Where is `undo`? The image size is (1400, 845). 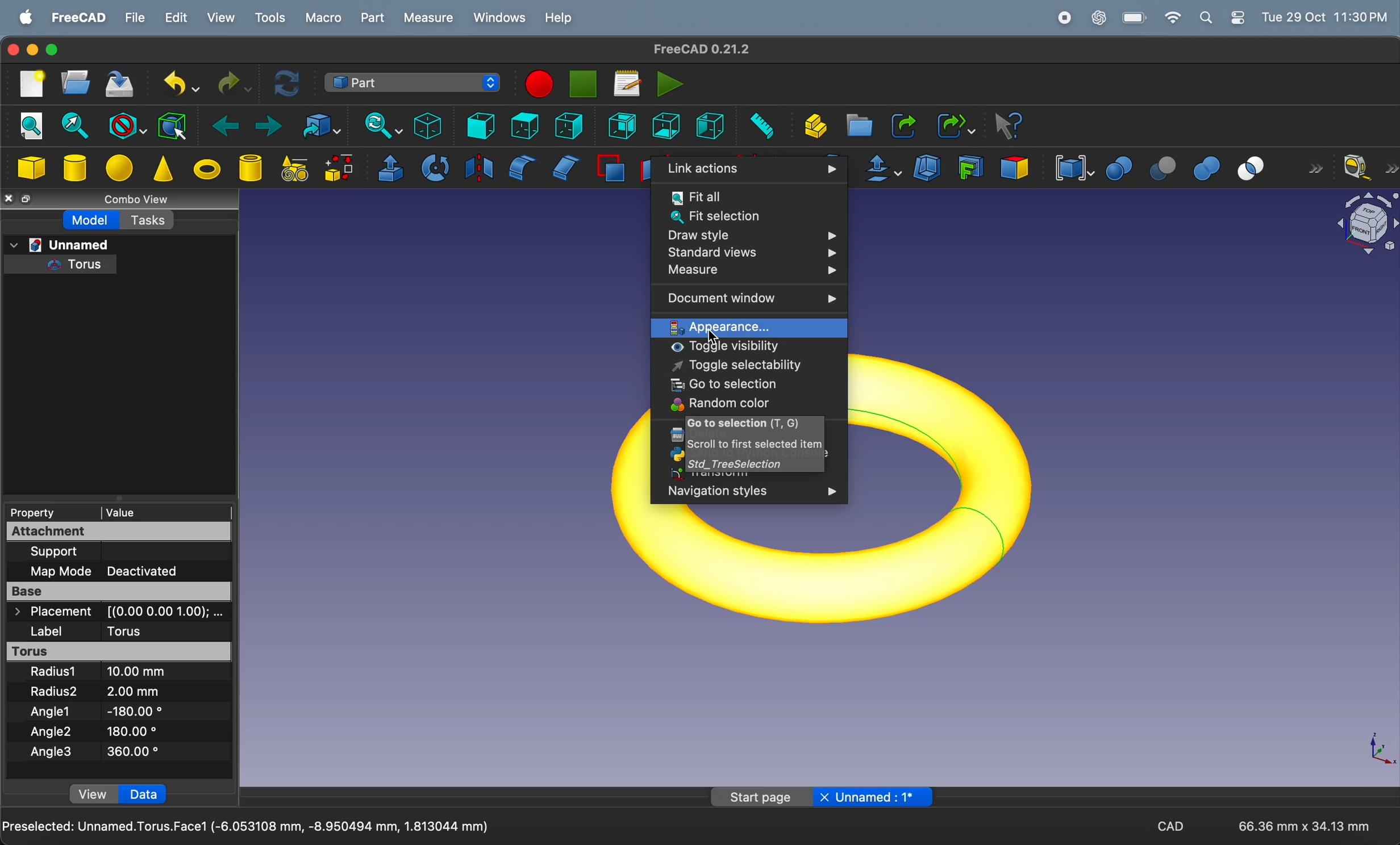 undo is located at coordinates (181, 84).